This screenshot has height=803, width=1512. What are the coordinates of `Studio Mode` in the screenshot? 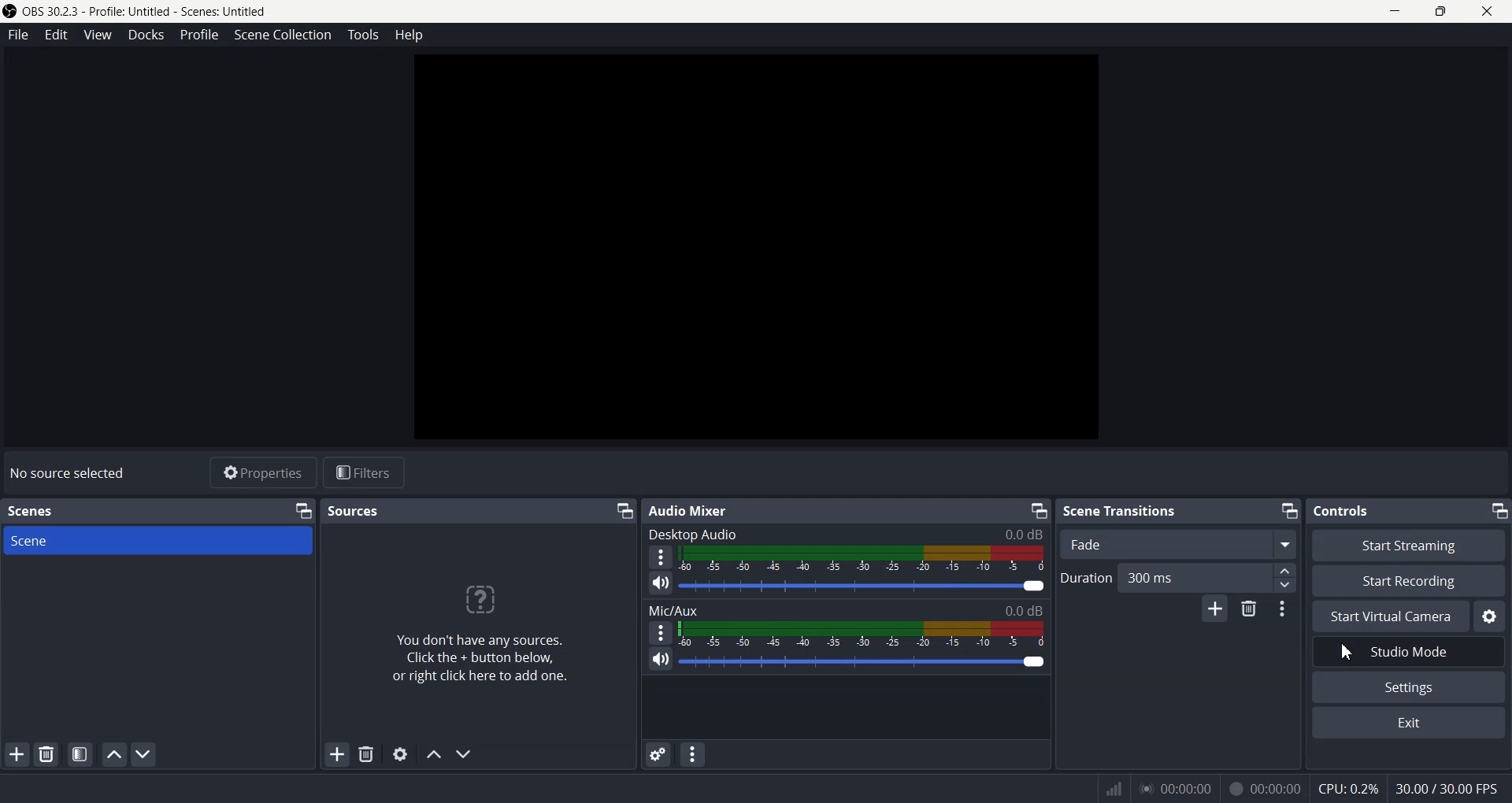 It's located at (1440, 653).